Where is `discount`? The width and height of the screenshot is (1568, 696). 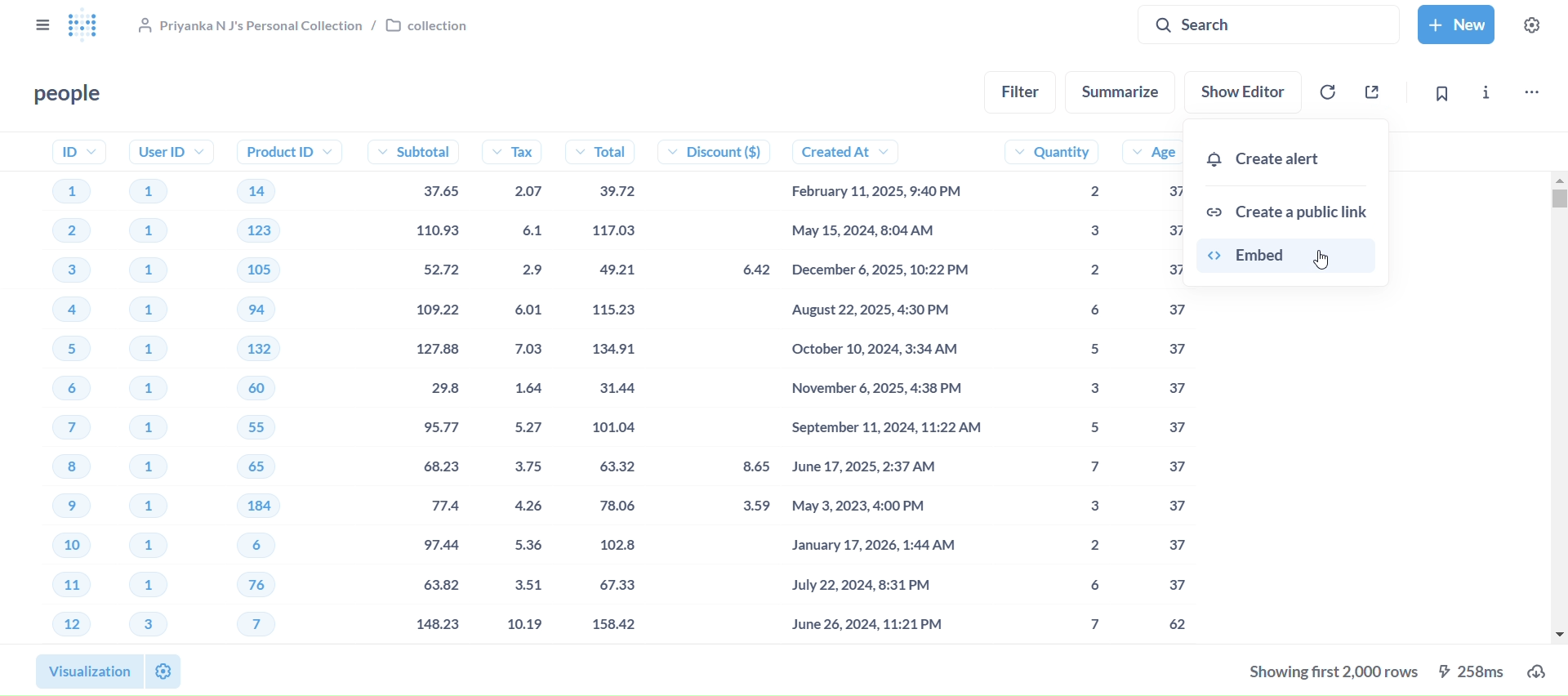 discount is located at coordinates (725, 387).